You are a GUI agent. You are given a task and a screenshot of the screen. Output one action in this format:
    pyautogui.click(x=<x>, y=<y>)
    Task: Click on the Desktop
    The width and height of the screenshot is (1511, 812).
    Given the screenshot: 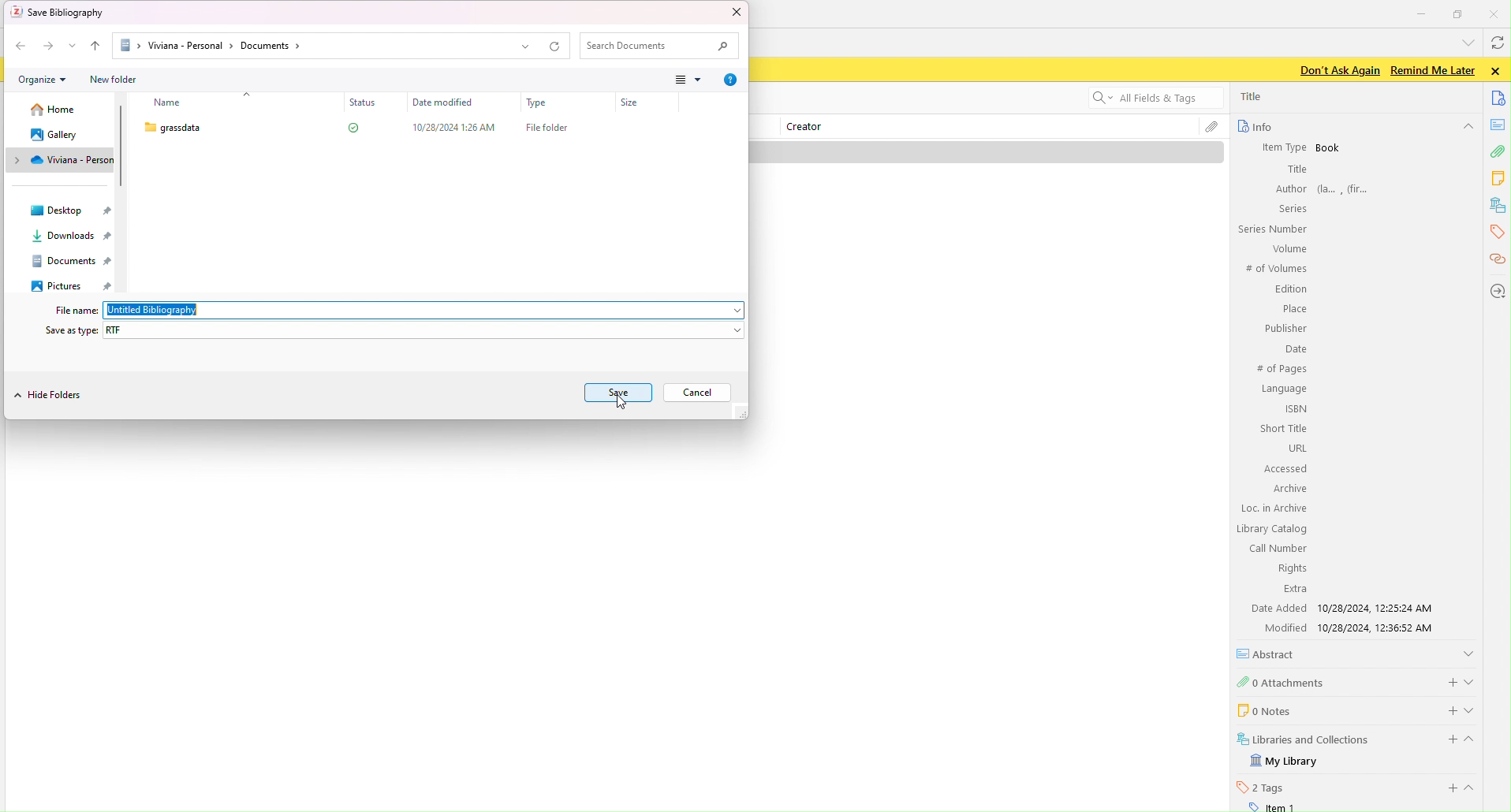 What is the action you would take?
    pyautogui.click(x=65, y=211)
    